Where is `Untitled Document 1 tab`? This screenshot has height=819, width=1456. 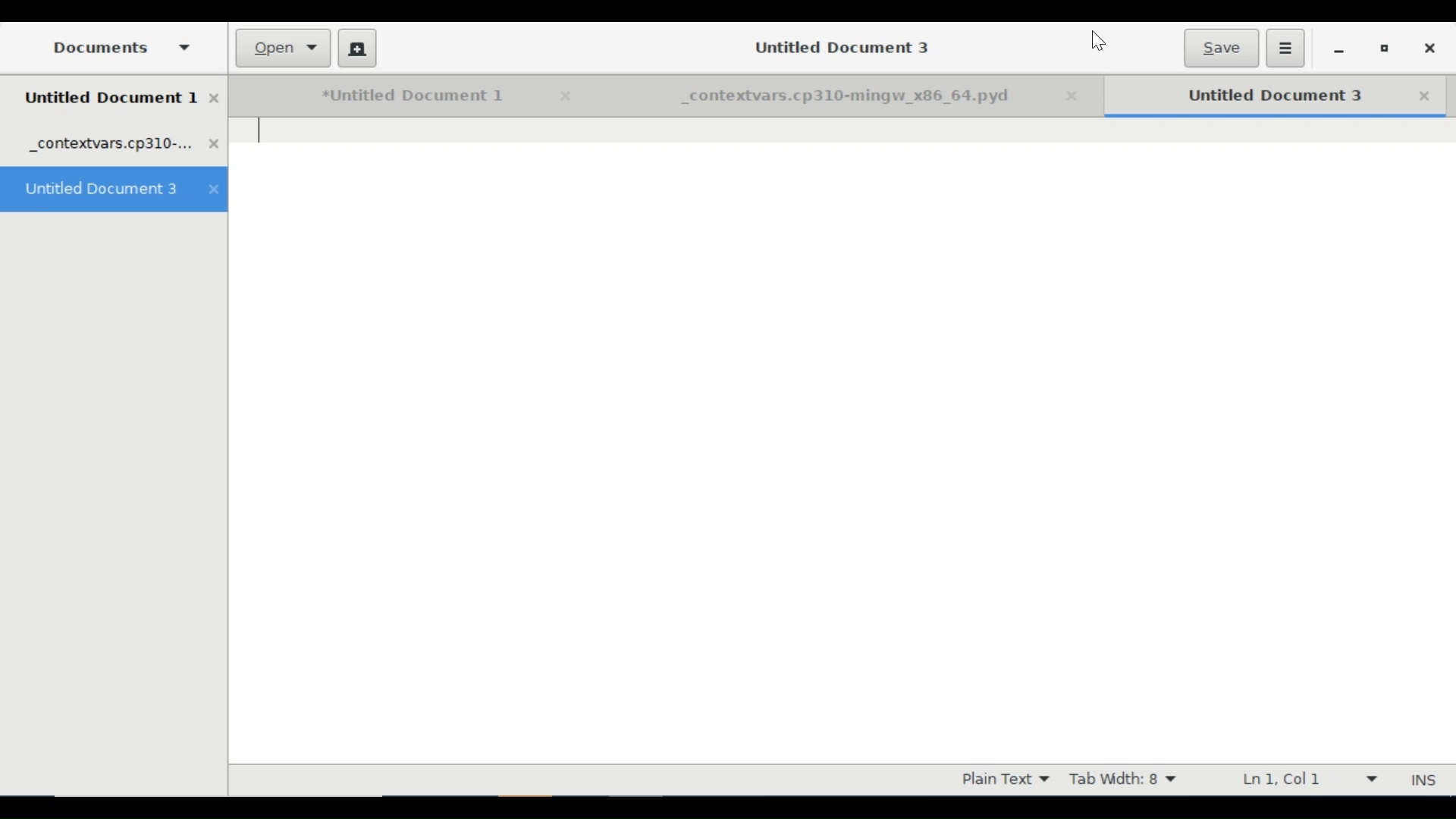 Untitled Document 1 tab is located at coordinates (123, 99).